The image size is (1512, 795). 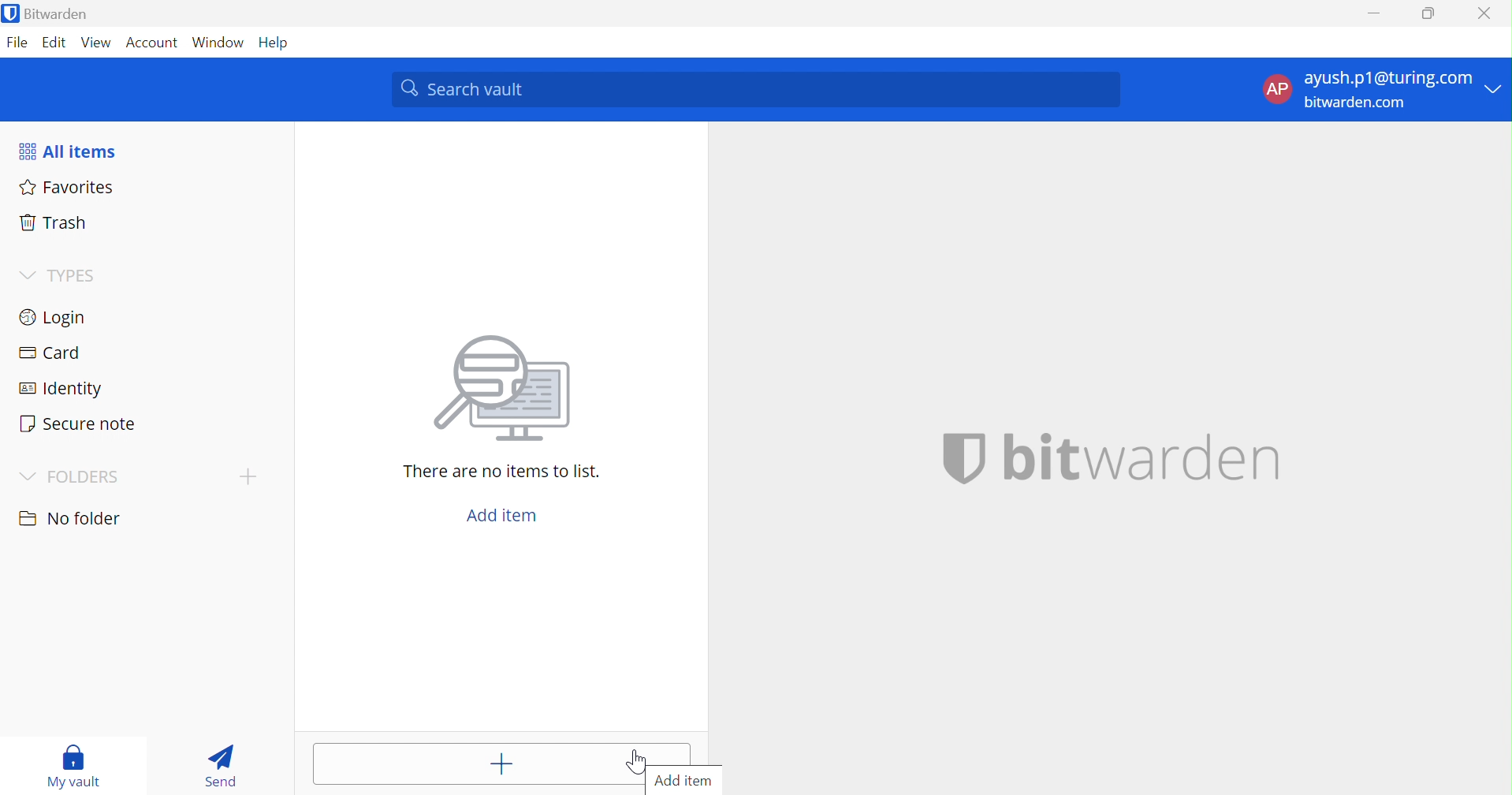 I want to click on My vault, so click(x=76, y=765).